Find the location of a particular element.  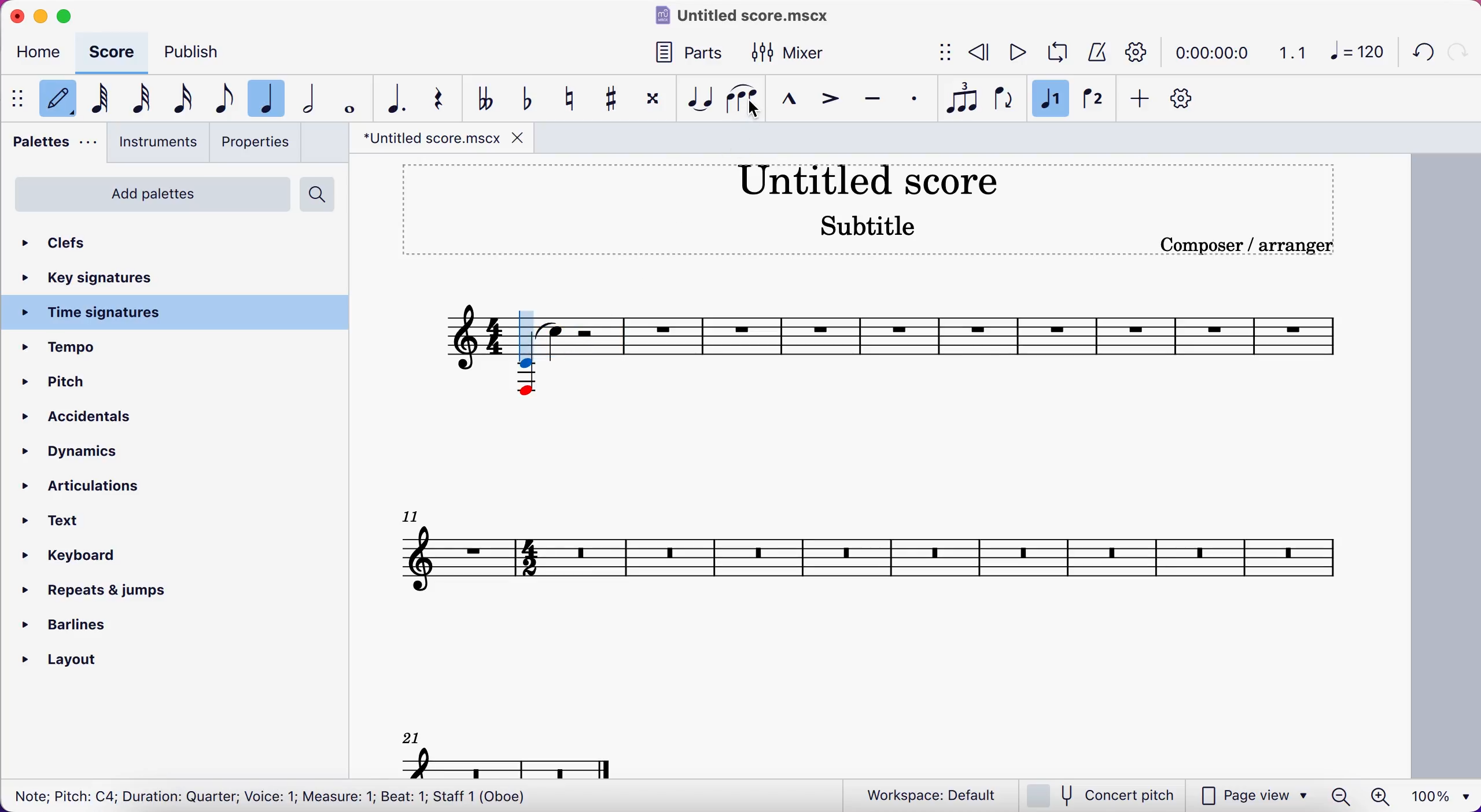

toggle flat is located at coordinates (526, 100).